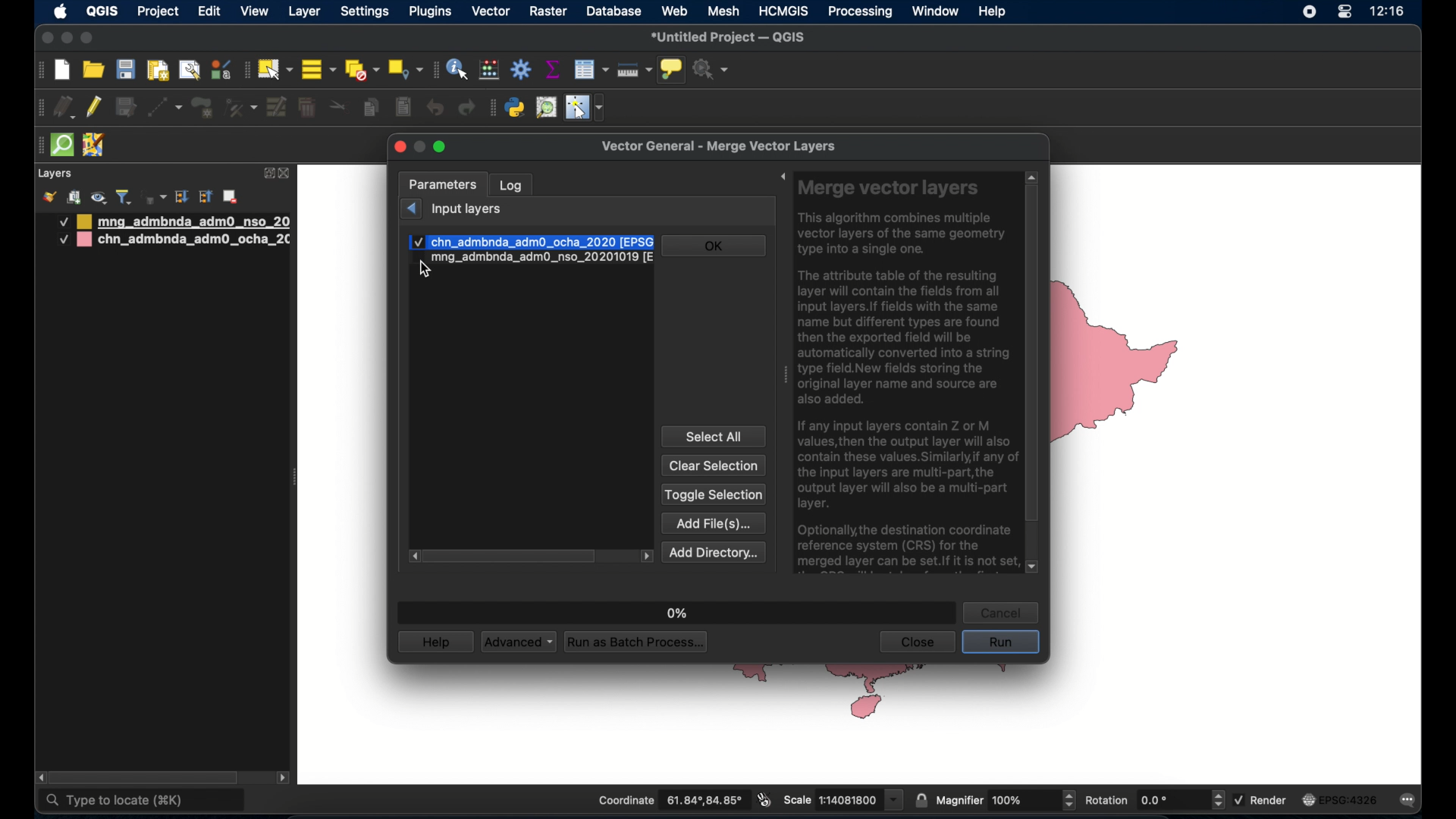 The image size is (1456, 819). Describe the element at coordinates (63, 71) in the screenshot. I see `create new project` at that location.